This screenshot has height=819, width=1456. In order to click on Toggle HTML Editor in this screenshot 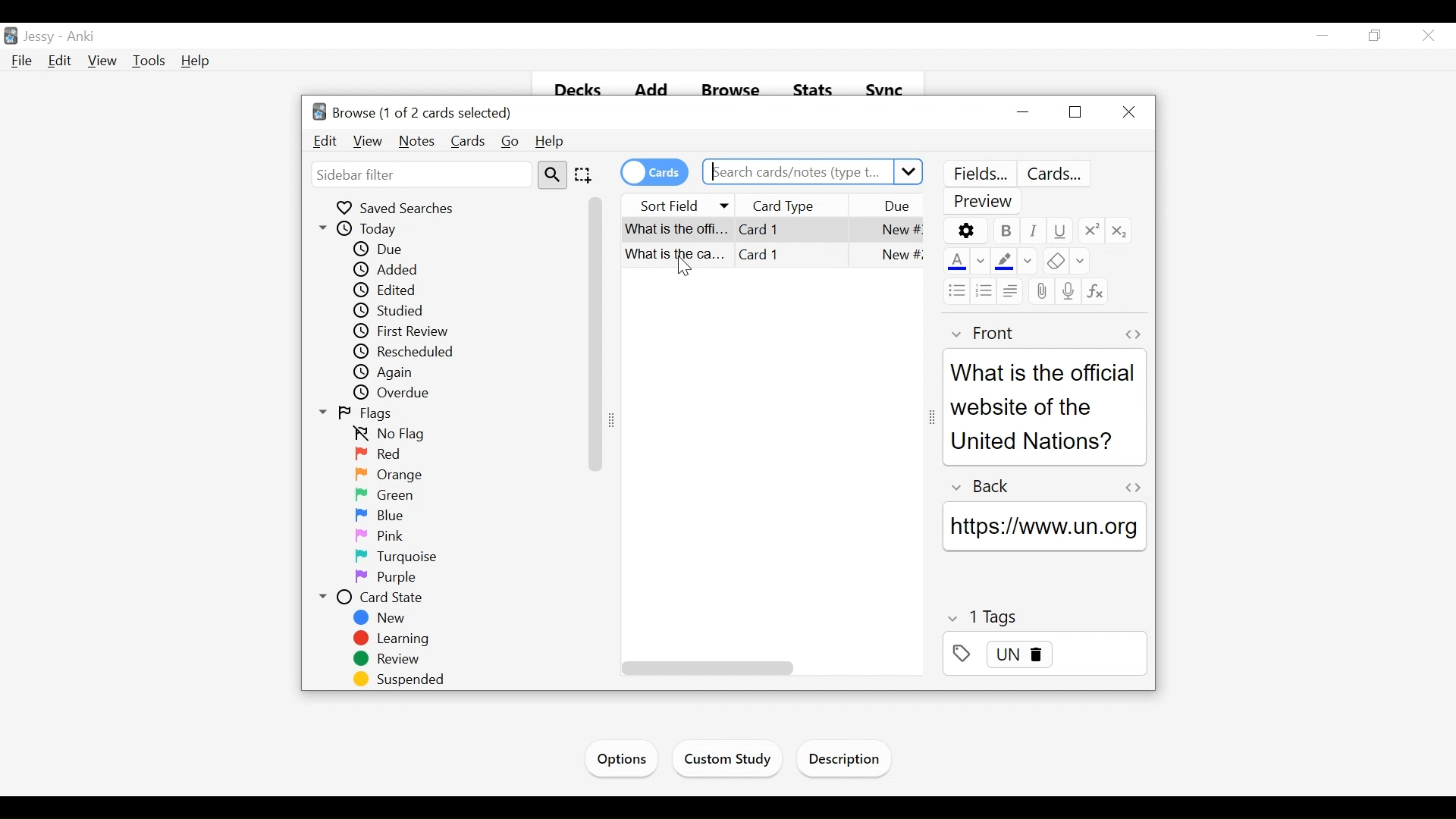, I will do `click(1132, 334)`.